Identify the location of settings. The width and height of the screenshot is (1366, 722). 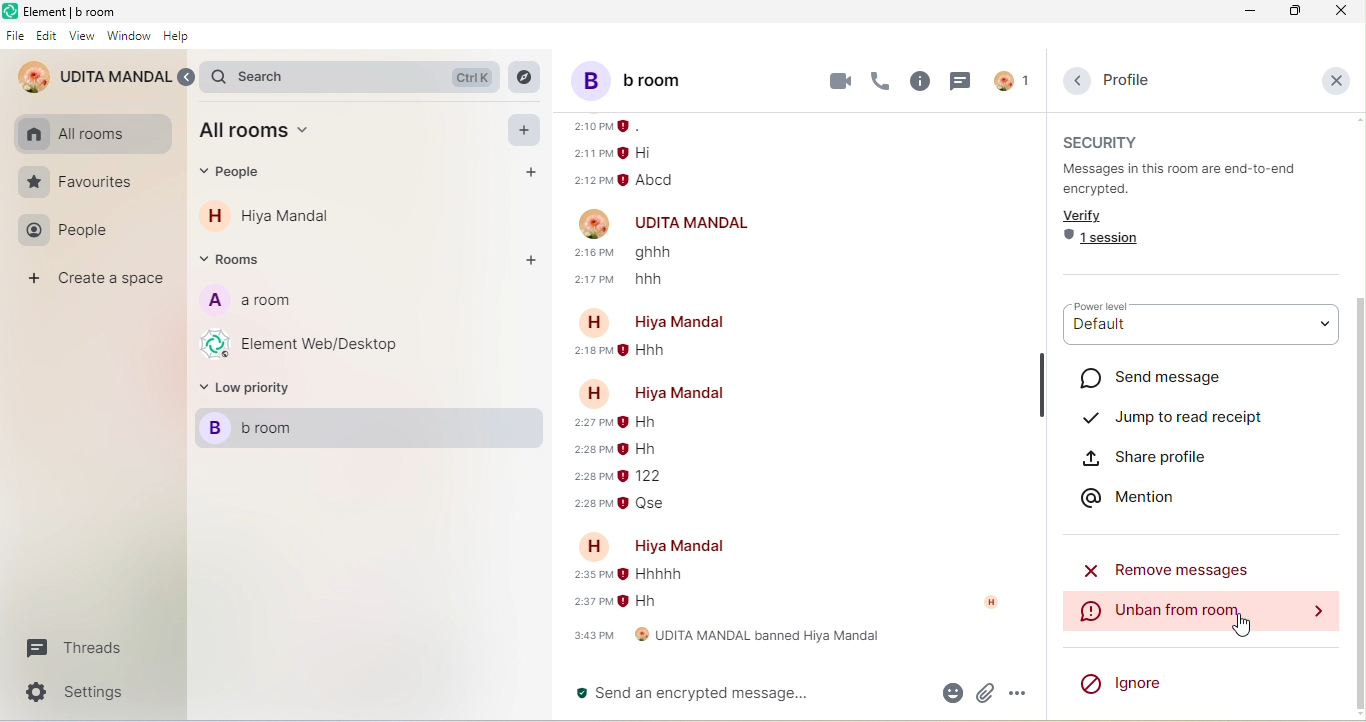
(85, 692).